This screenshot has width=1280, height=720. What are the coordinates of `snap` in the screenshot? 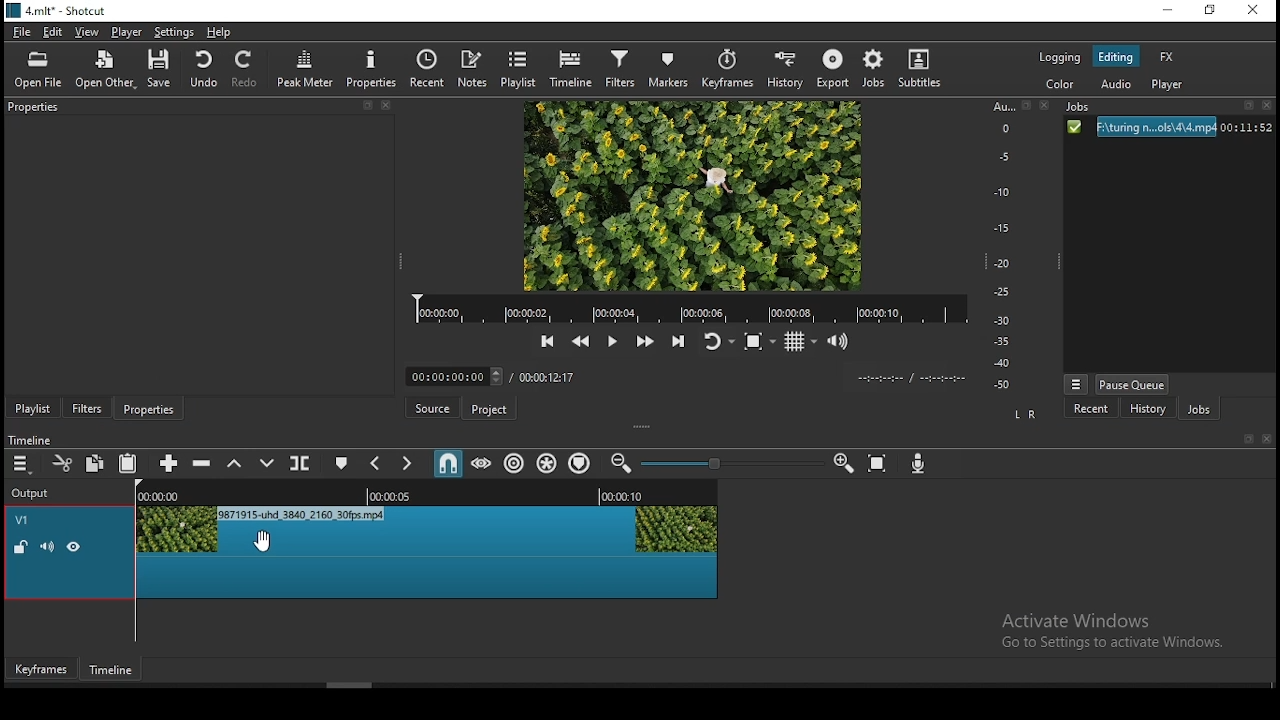 It's located at (445, 465).